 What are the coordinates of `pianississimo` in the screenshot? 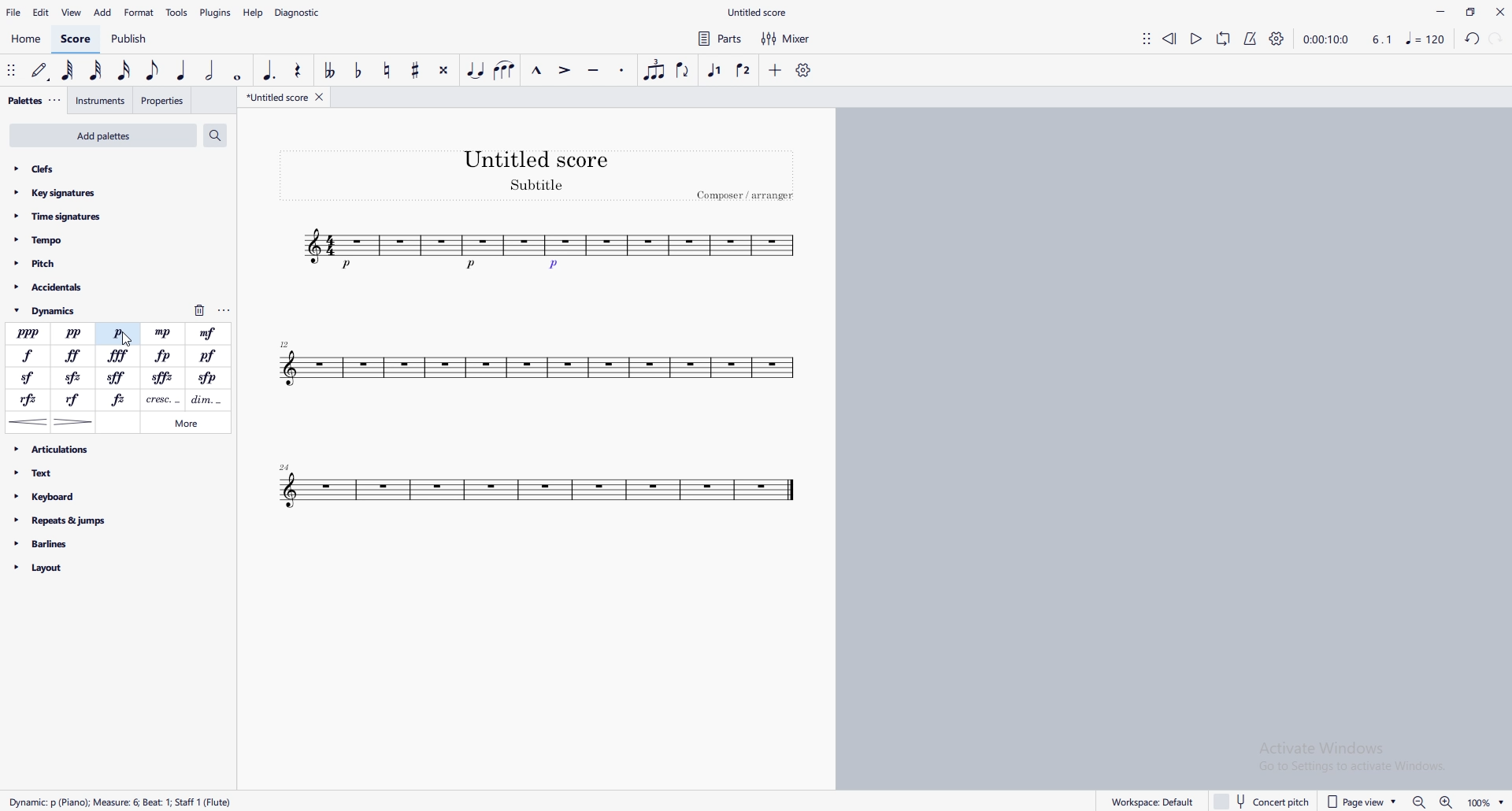 It's located at (27, 333).